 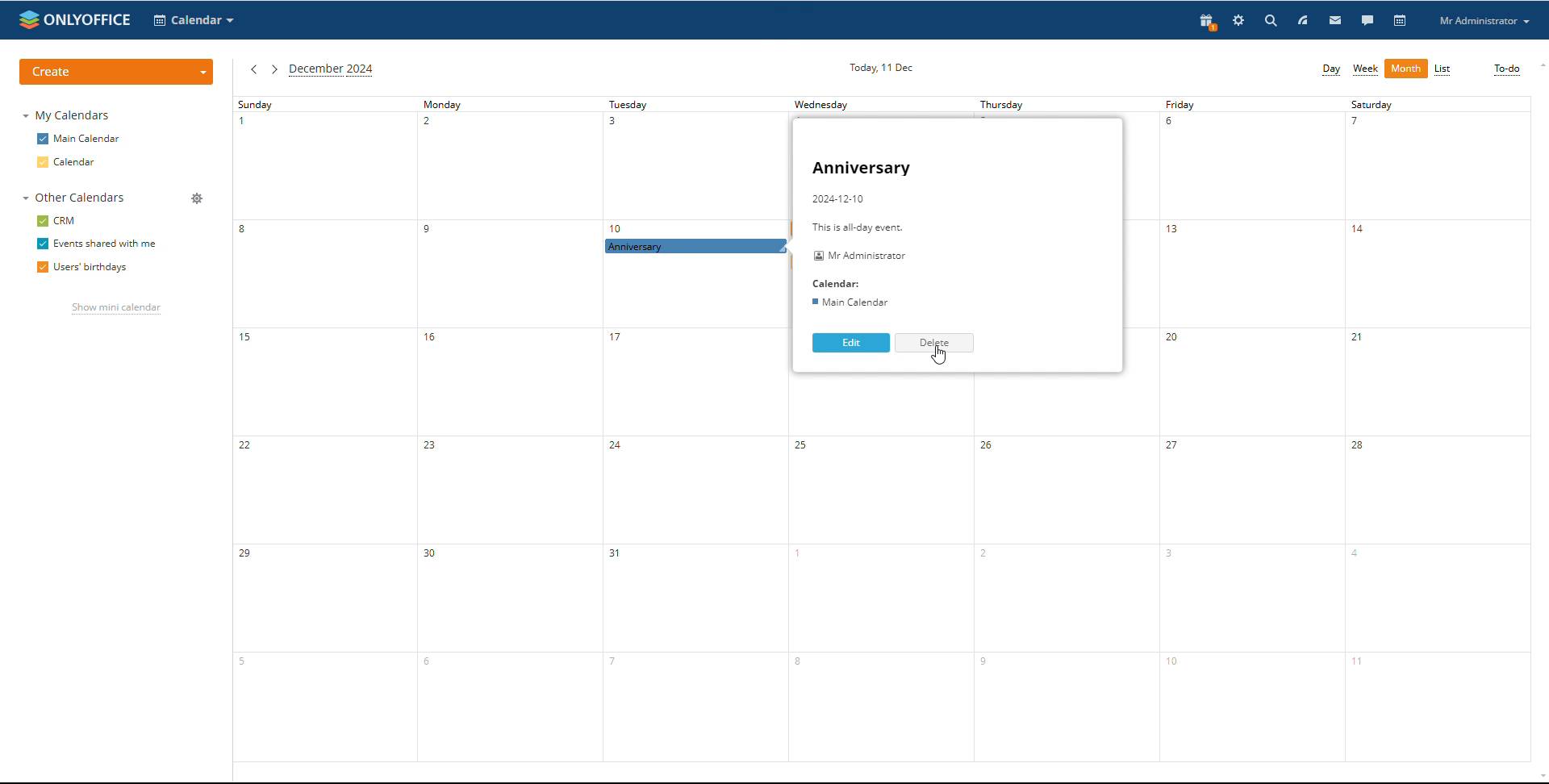 What do you see at coordinates (1303, 20) in the screenshot?
I see `feedd` at bounding box center [1303, 20].